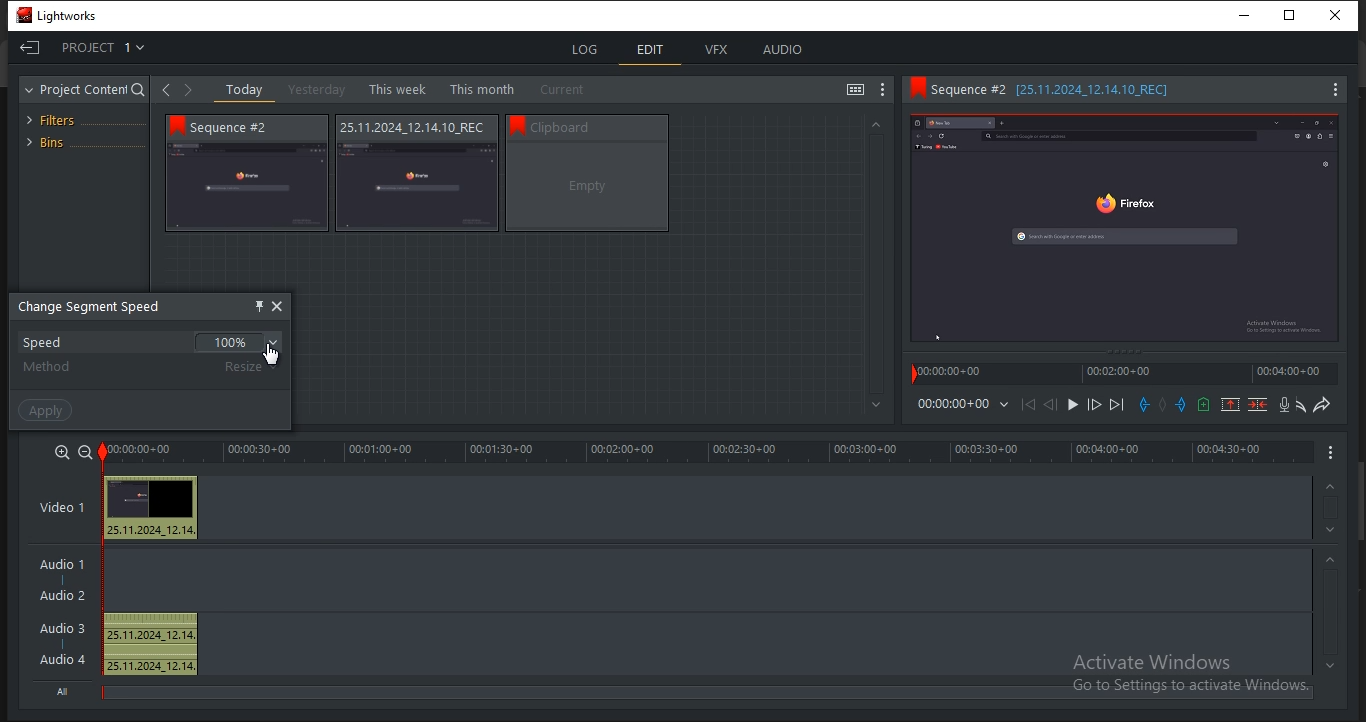 Image resolution: width=1366 pixels, height=722 pixels. Describe the element at coordinates (1327, 529) in the screenshot. I see `timeline navigation up arrow` at that location.